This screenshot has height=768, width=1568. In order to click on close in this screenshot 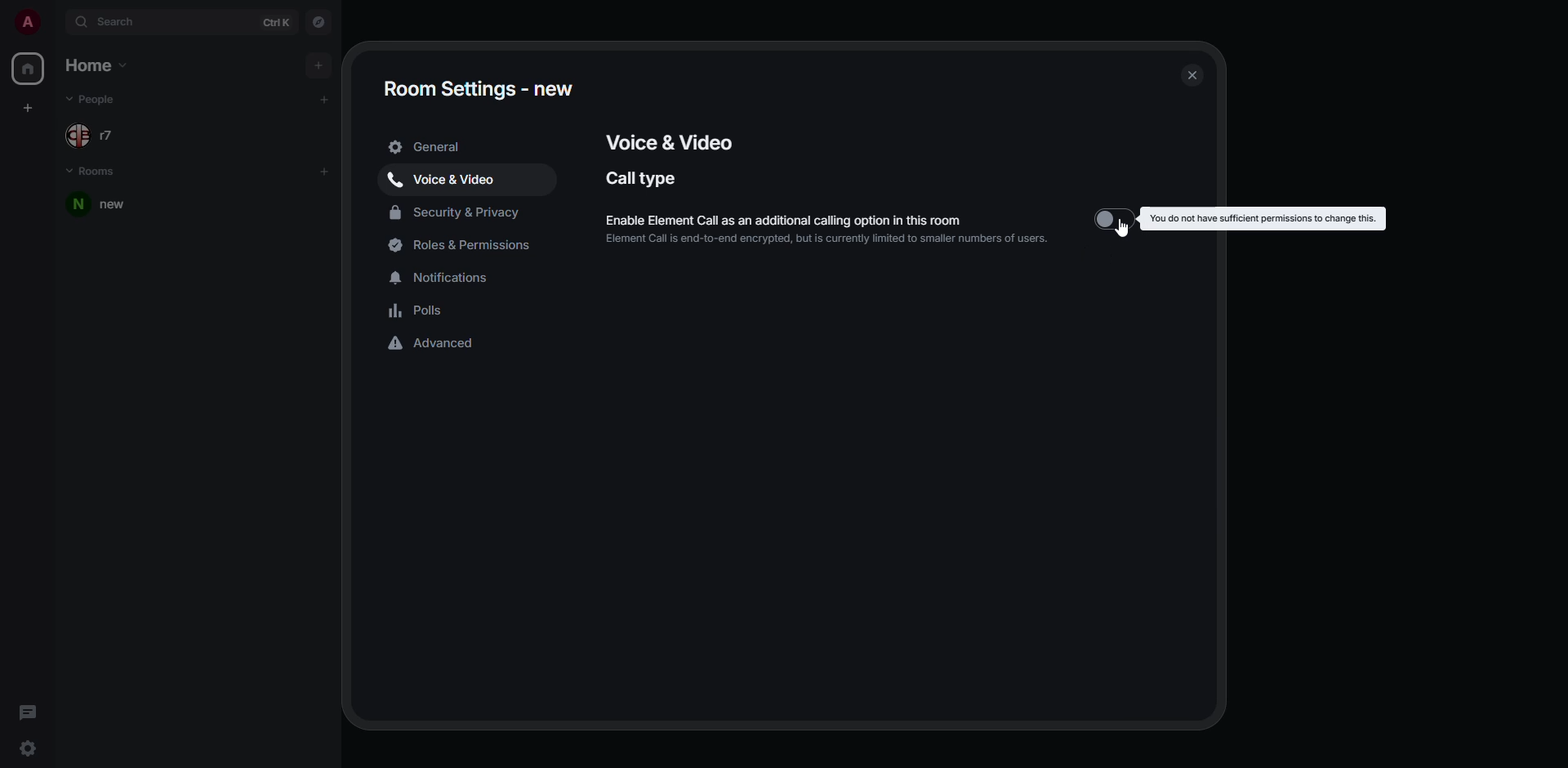, I will do `click(1192, 76)`.